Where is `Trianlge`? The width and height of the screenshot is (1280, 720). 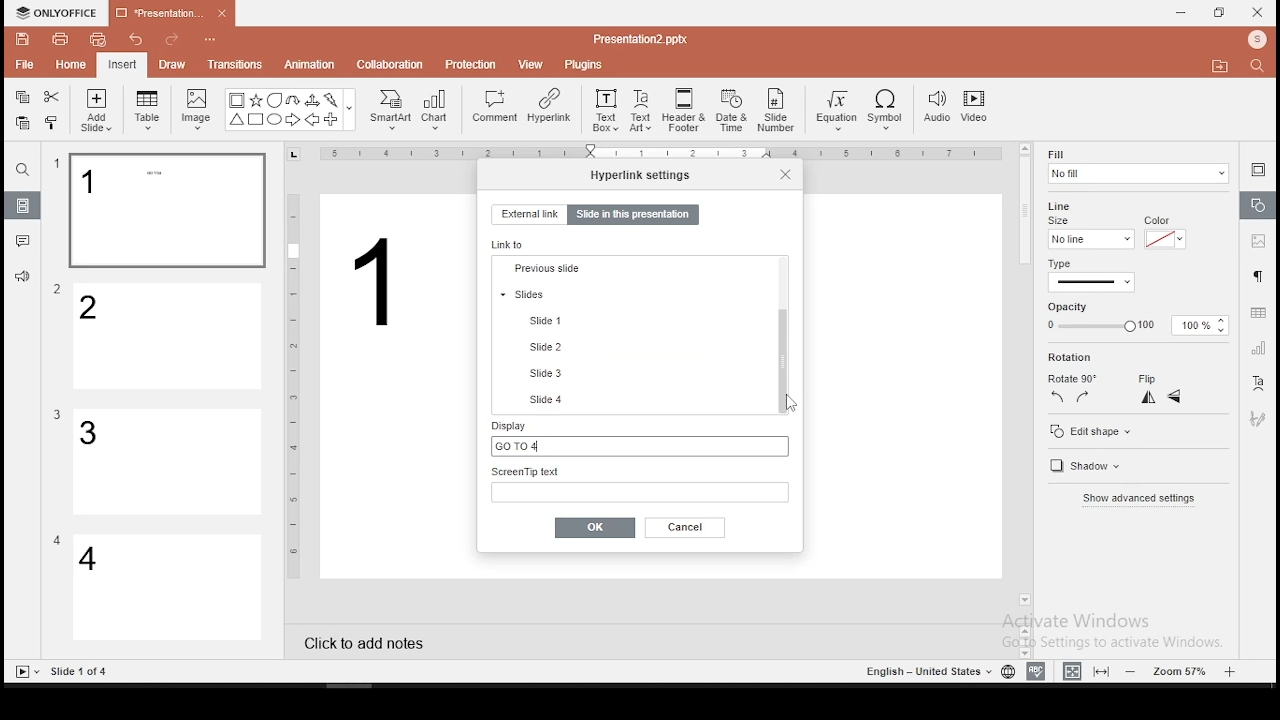 Trianlge is located at coordinates (235, 120).